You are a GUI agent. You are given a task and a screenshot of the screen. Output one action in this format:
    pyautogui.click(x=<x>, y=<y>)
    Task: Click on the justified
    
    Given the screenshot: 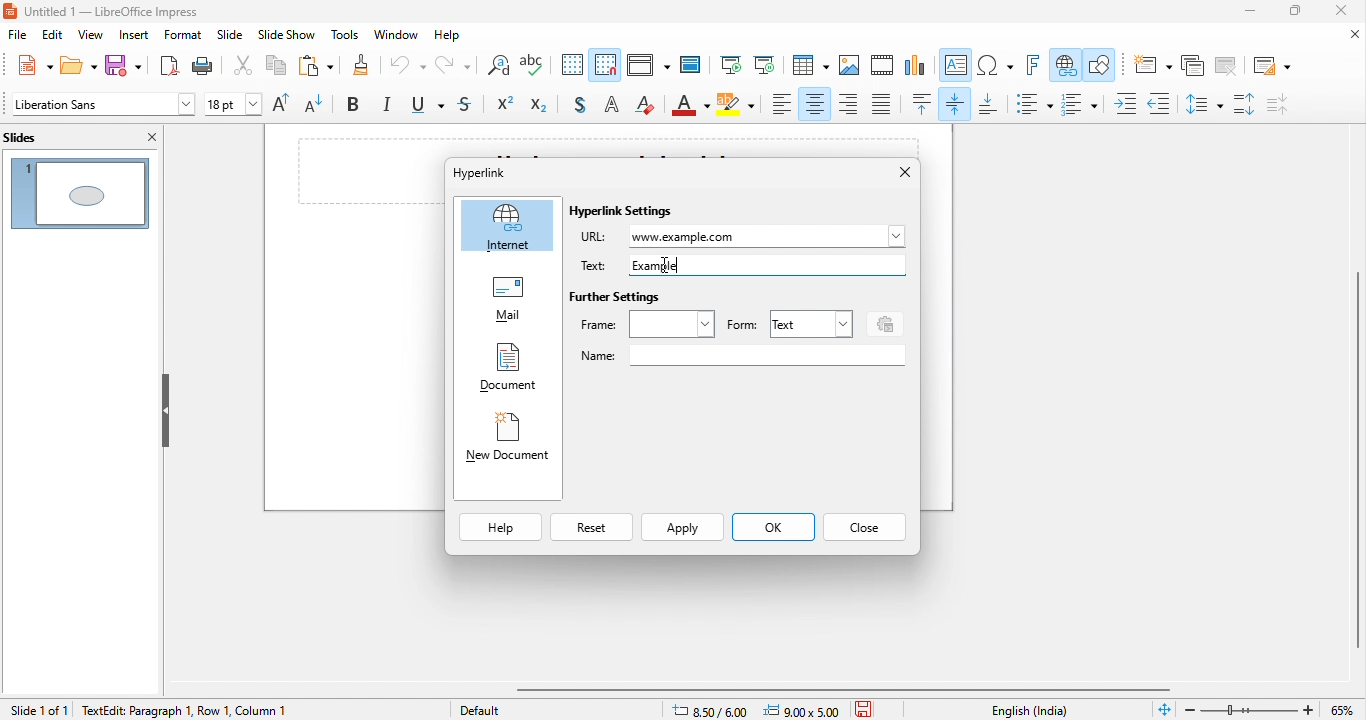 What is the action you would take?
    pyautogui.click(x=883, y=105)
    